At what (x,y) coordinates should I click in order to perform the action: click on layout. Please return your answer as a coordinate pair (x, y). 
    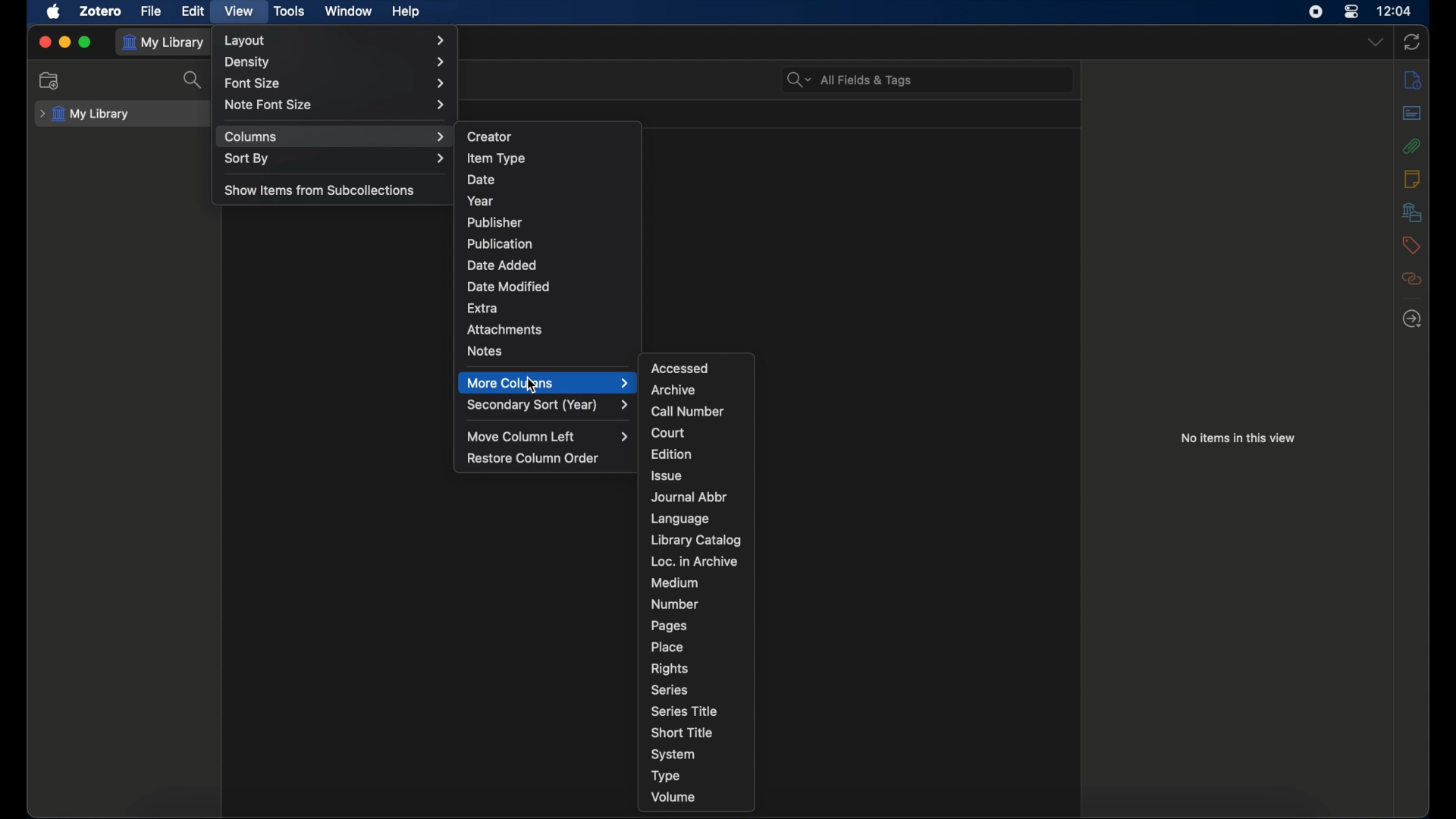
    Looking at the image, I should click on (337, 39).